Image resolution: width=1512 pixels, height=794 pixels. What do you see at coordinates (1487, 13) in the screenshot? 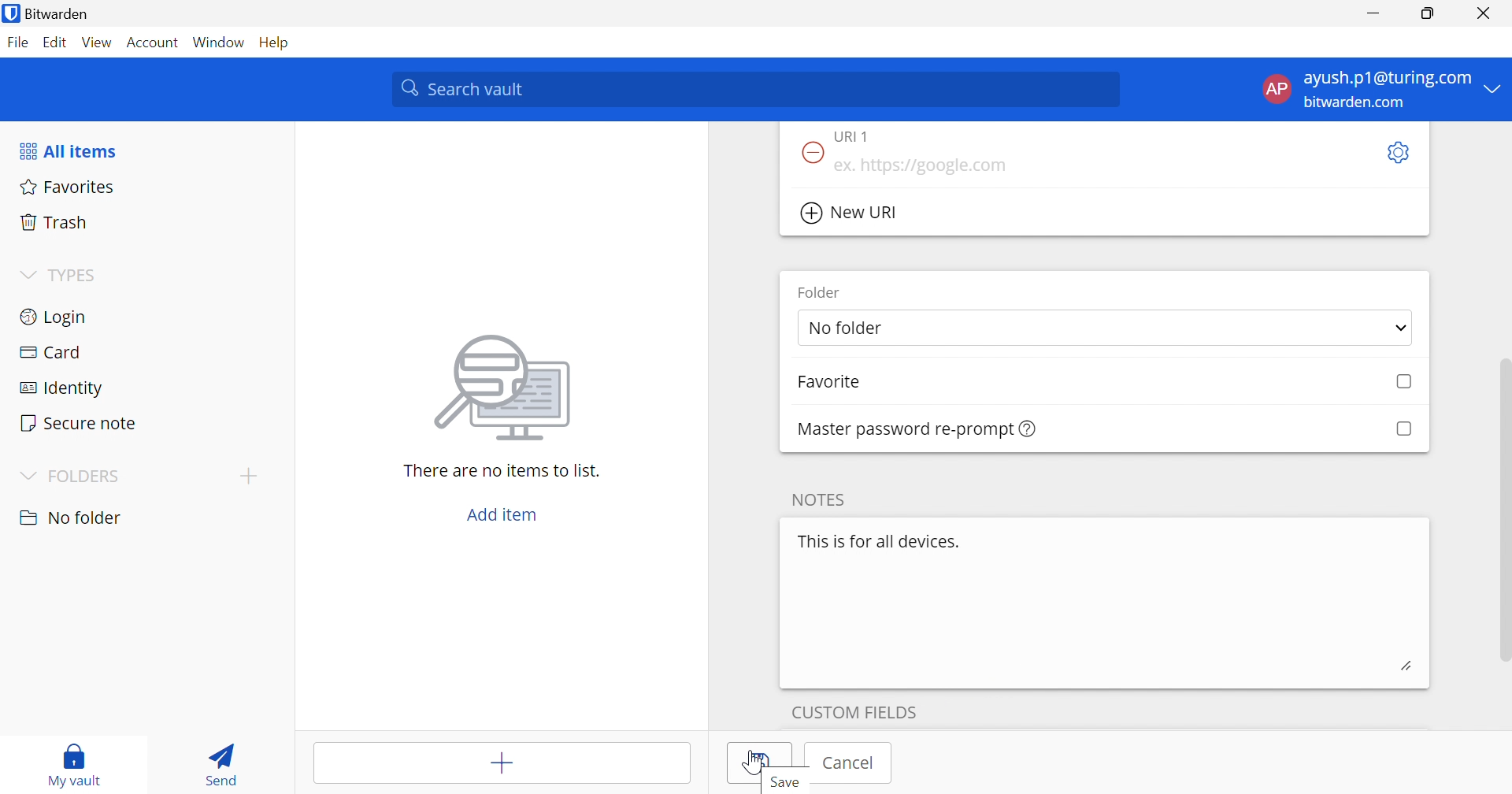
I see `Close` at bounding box center [1487, 13].